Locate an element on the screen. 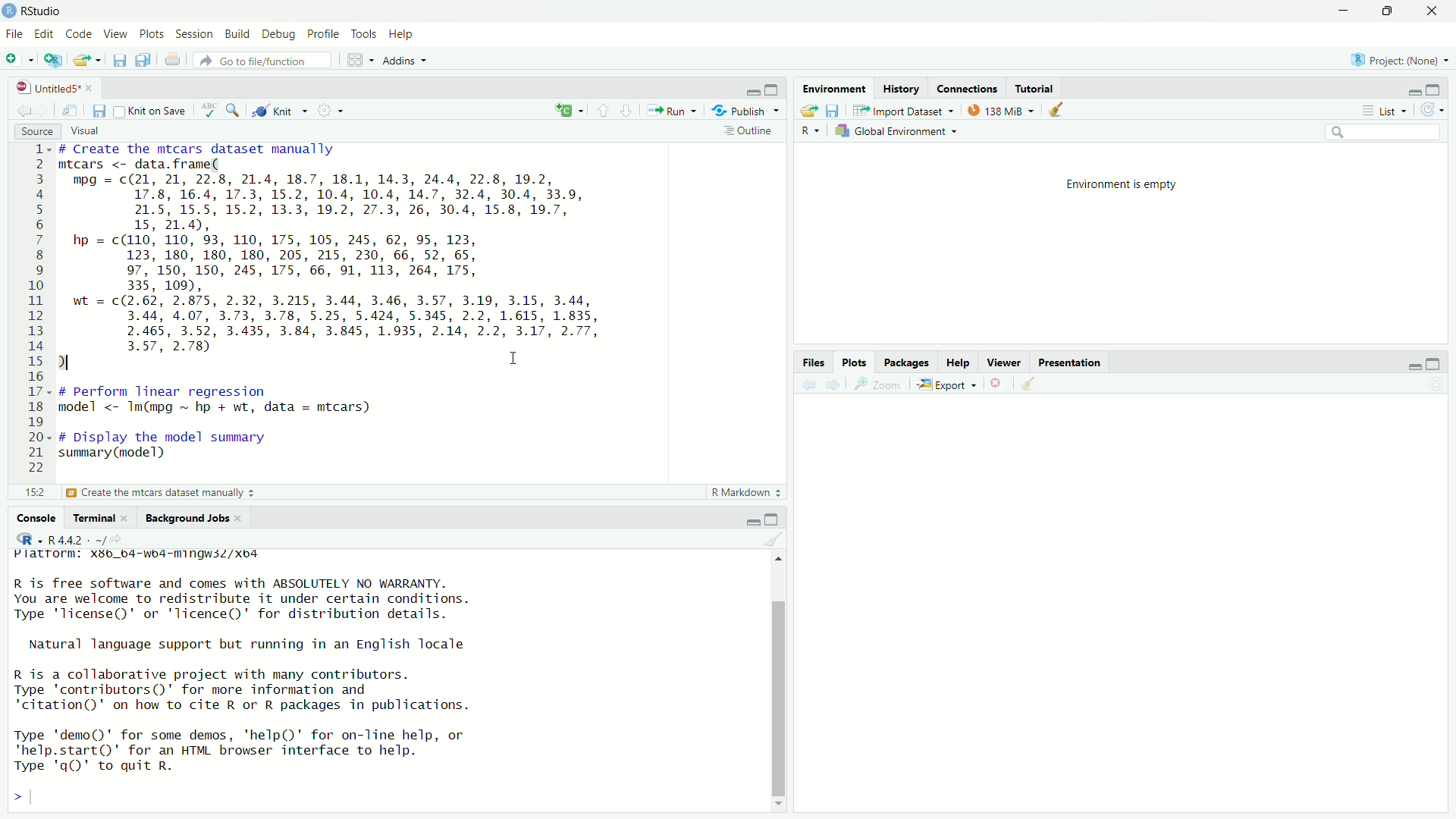 The image size is (1456, 819). Environment is empty is located at coordinates (1123, 184).